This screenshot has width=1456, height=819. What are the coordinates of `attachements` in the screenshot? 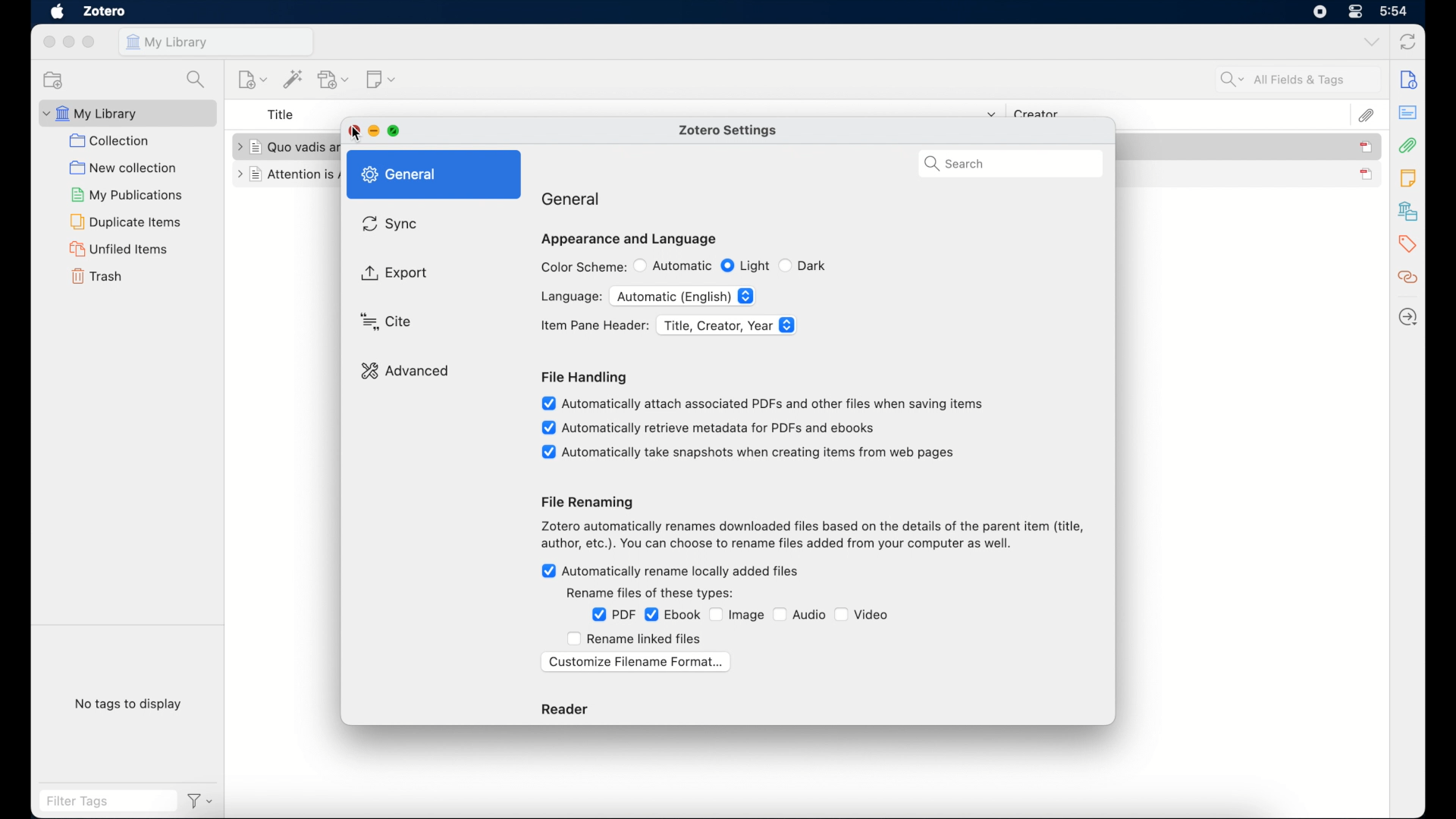 It's located at (1407, 146).